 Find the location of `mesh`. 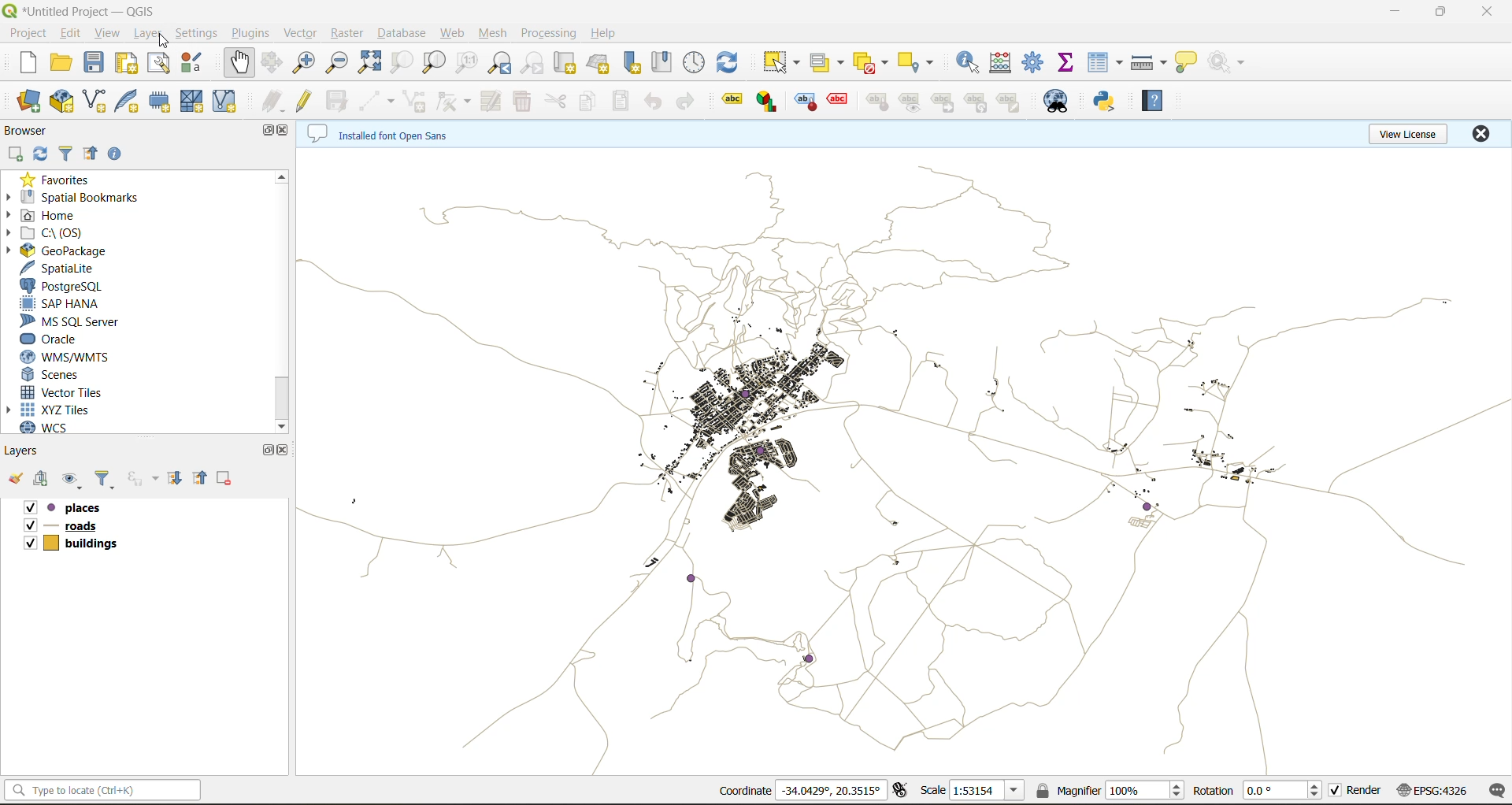

mesh is located at coordinates (495, 34).